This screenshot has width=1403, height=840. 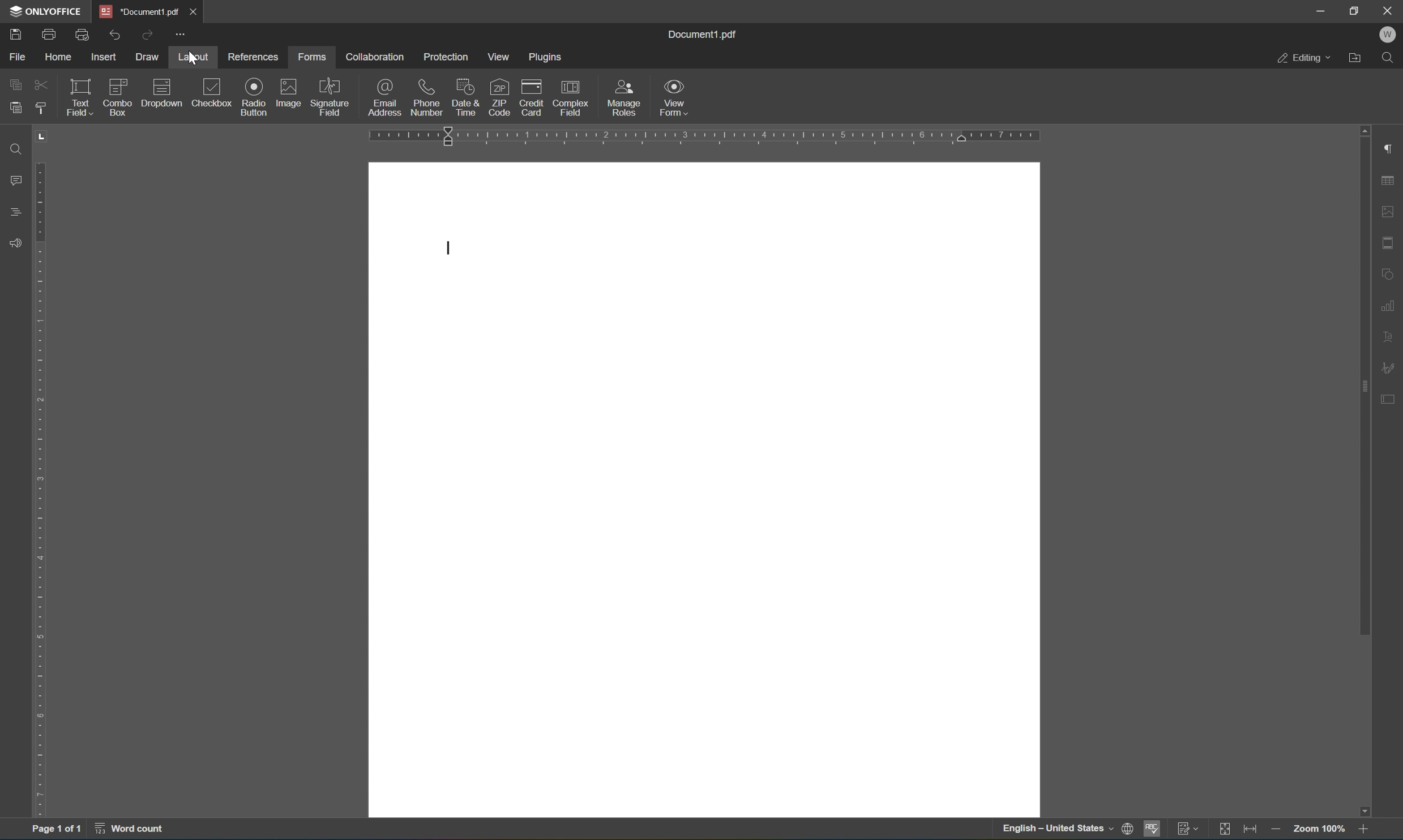 I want to click on fit to slide, so click(x=1229, y=829).